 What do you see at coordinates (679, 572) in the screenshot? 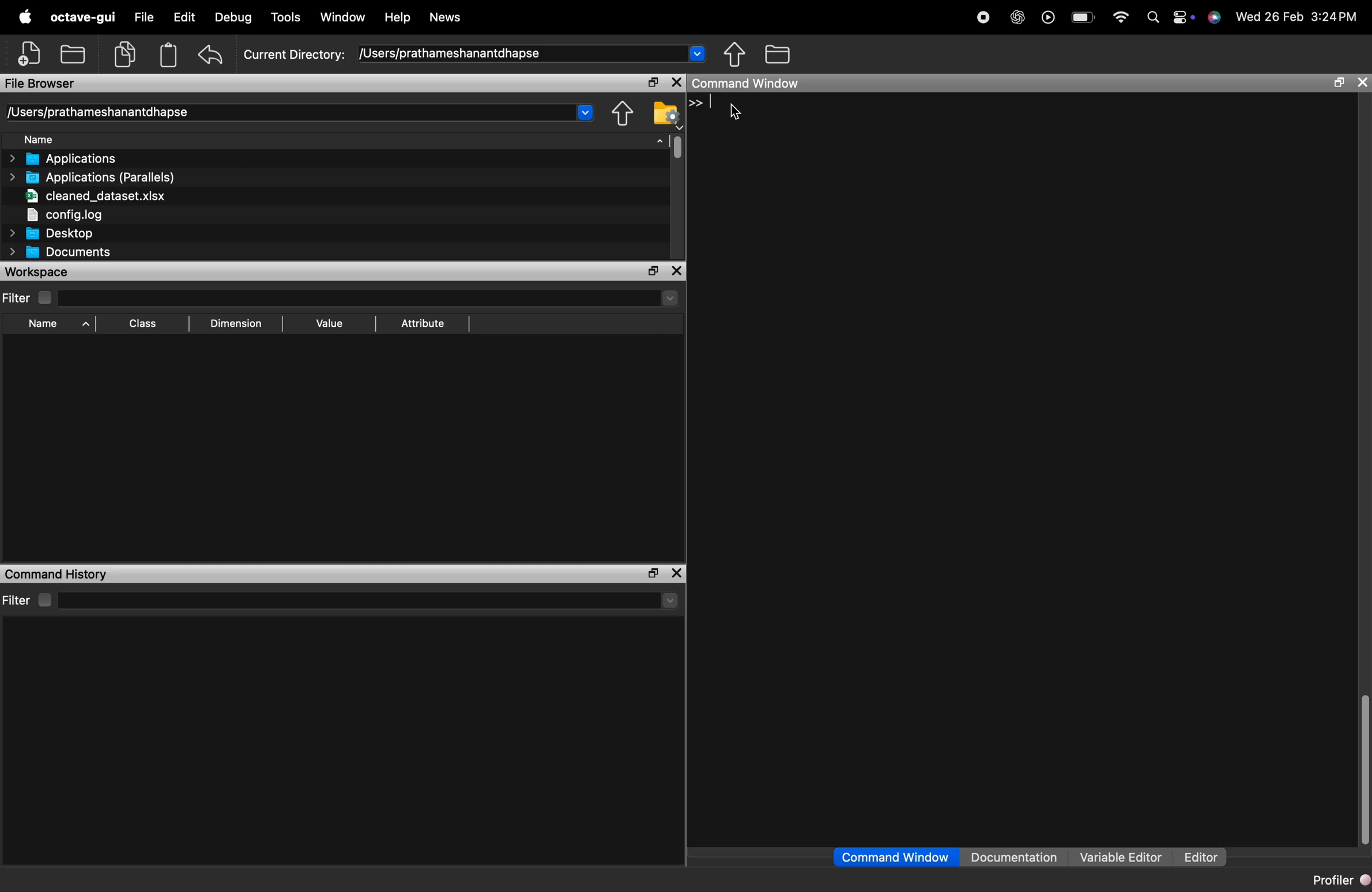
I see `Close` at bounding box center [679, 572].